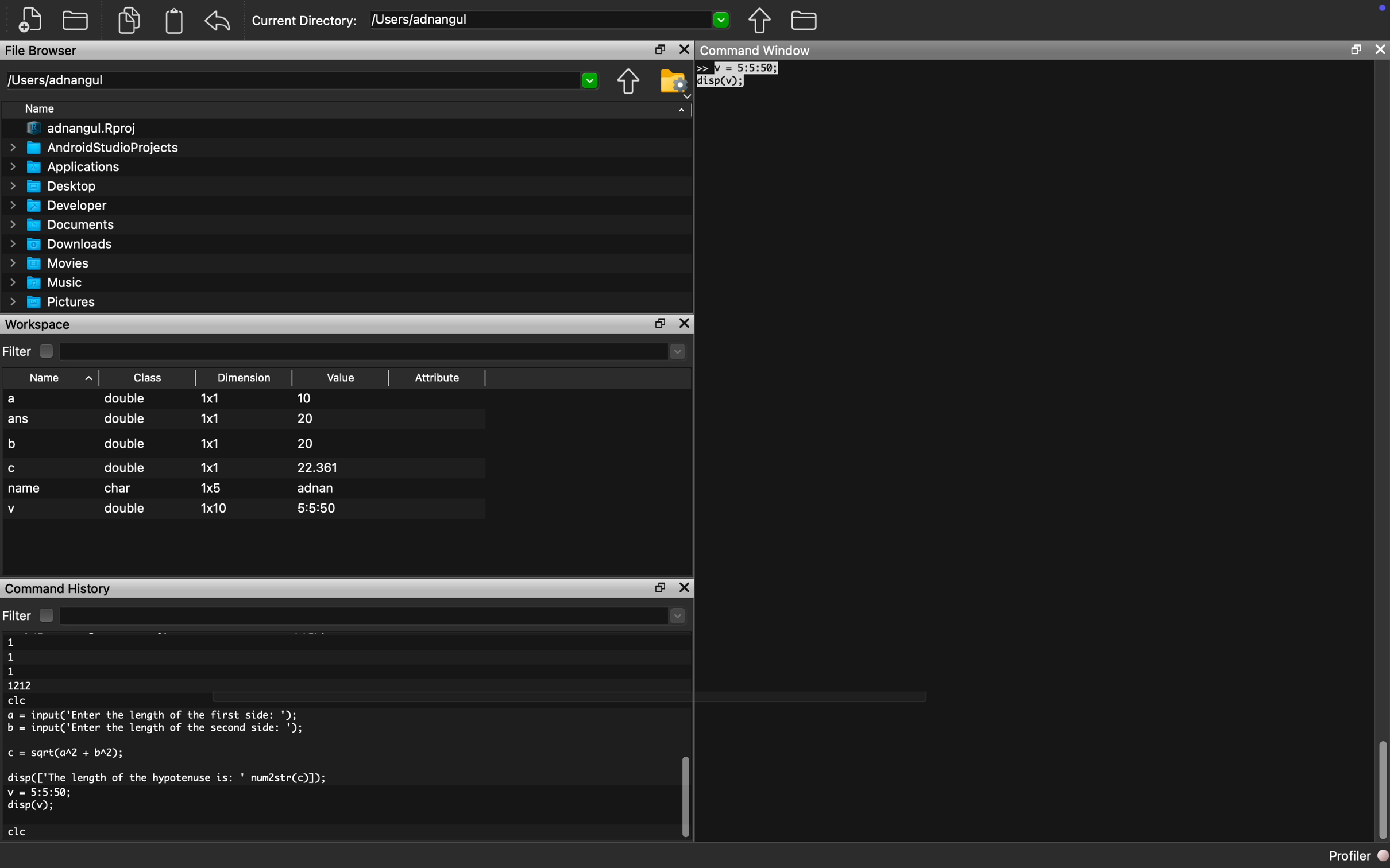 This screenshot has height=868, width=1390. I want to click on File Browser, so click(43, 51).